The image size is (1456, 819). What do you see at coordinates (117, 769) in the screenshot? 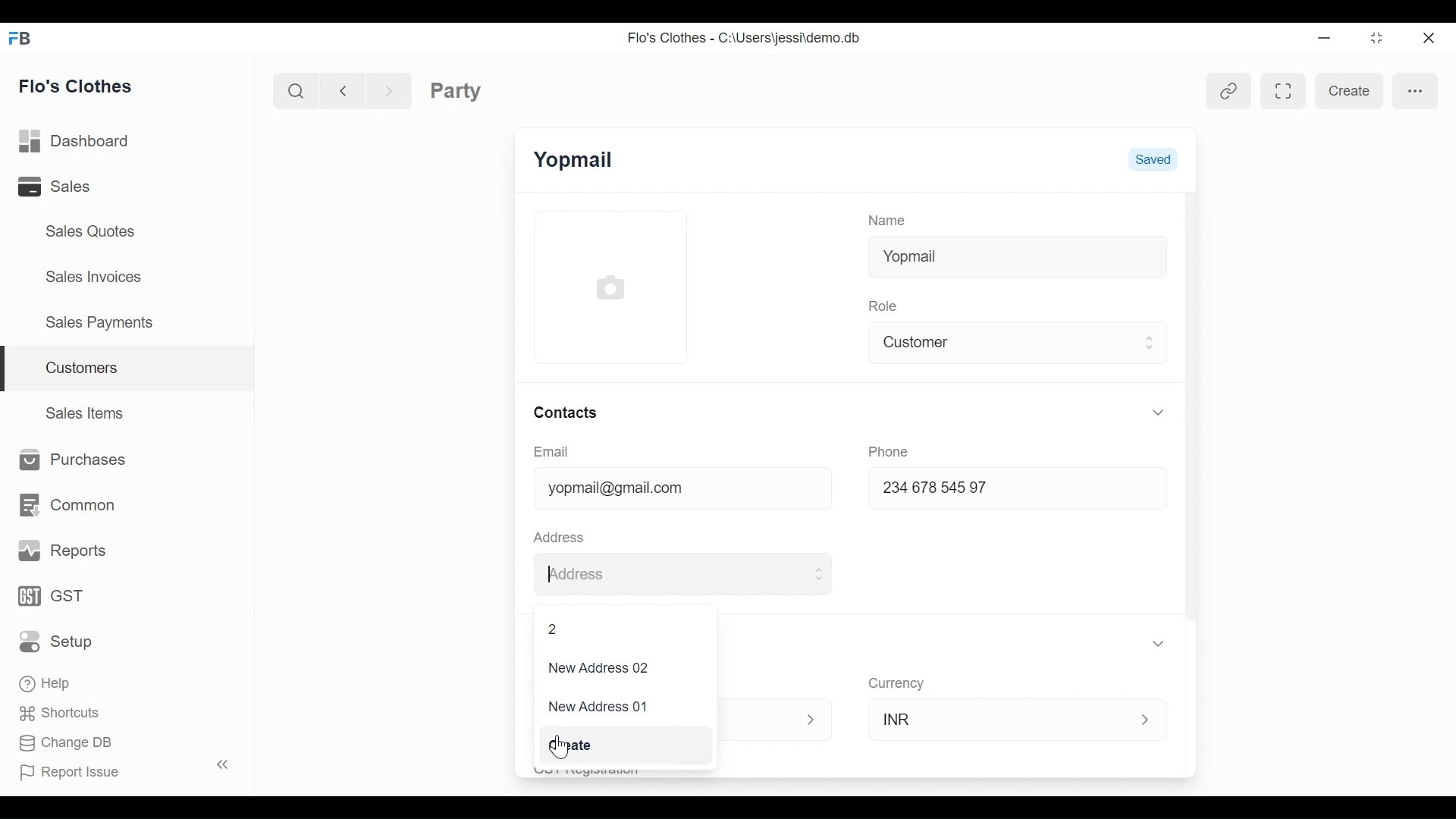
I see `Report Issue` at bounding box center [117, 769].